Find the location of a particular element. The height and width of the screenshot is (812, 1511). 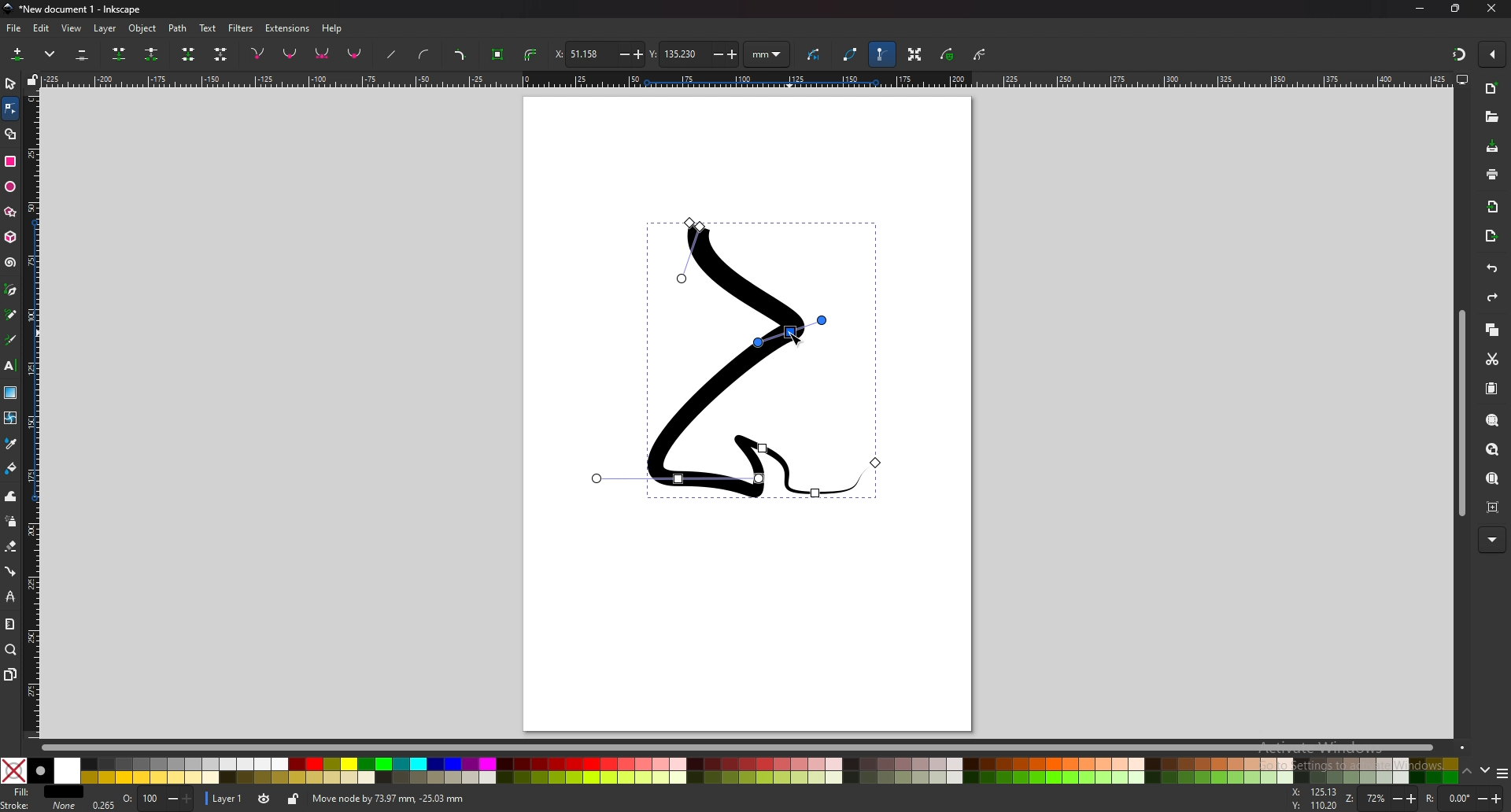

show path outline is located at coordinates (851, 54).